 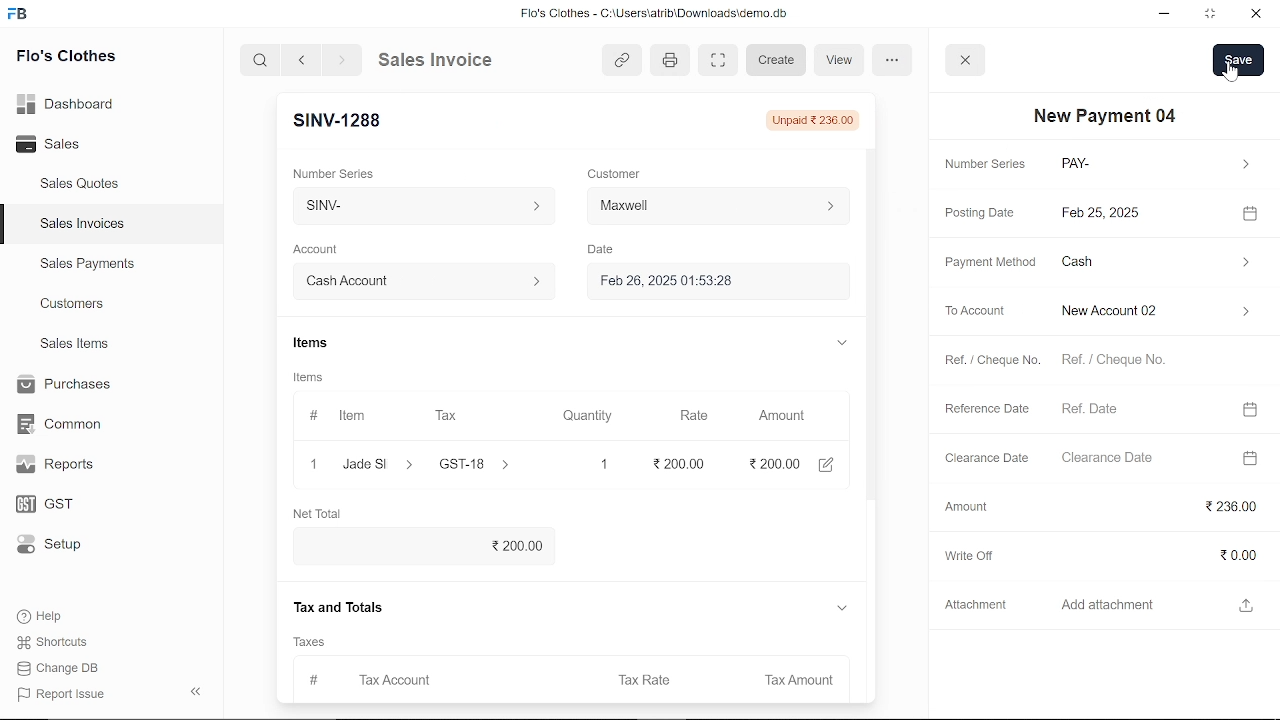 What do you see at coordinates (985, 458) in the screenshot?
I see `Clearance Date` at bounding box center [985, 458].